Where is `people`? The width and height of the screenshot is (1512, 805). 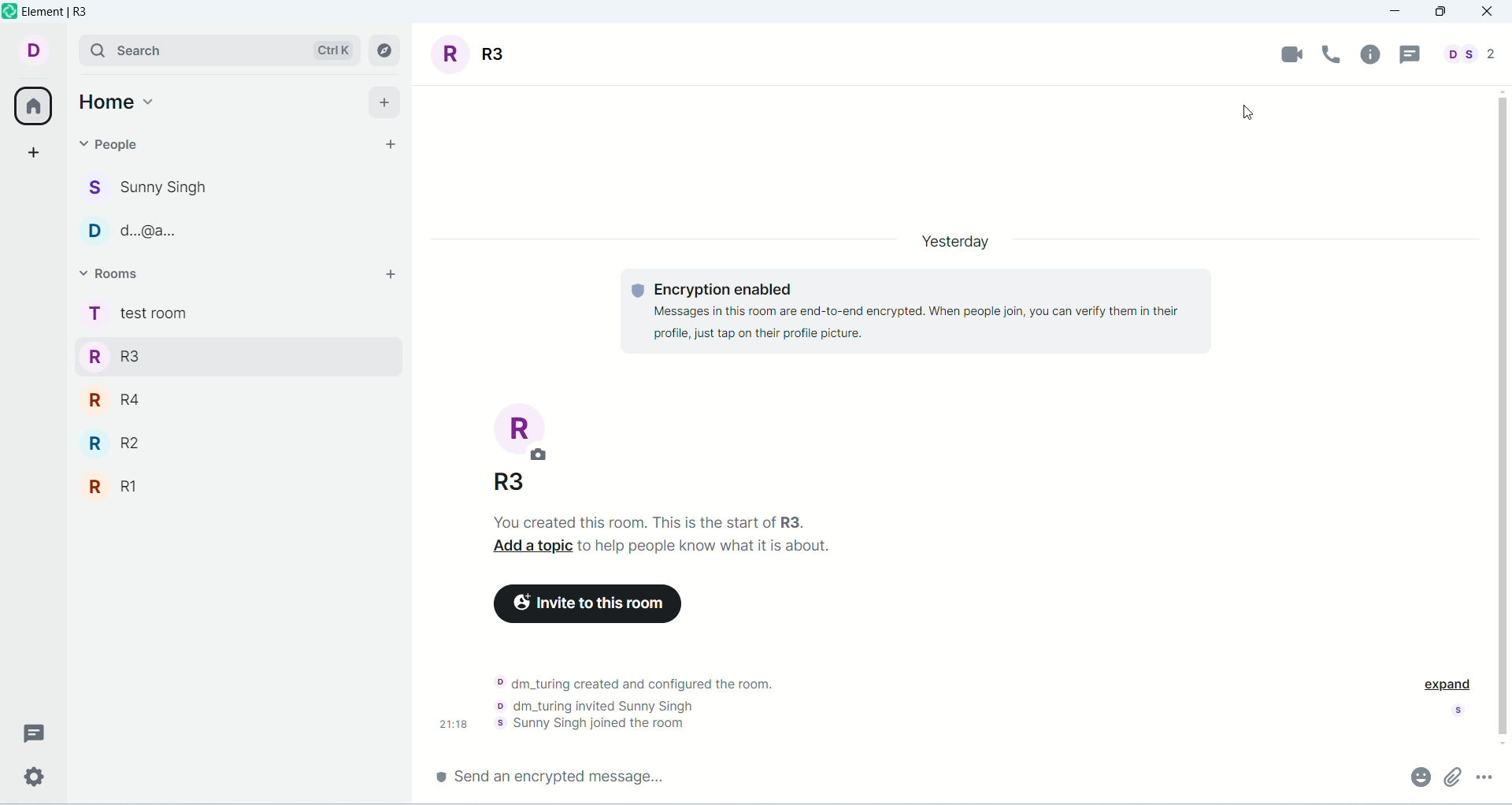
people is located at coordinates (1466, 54).